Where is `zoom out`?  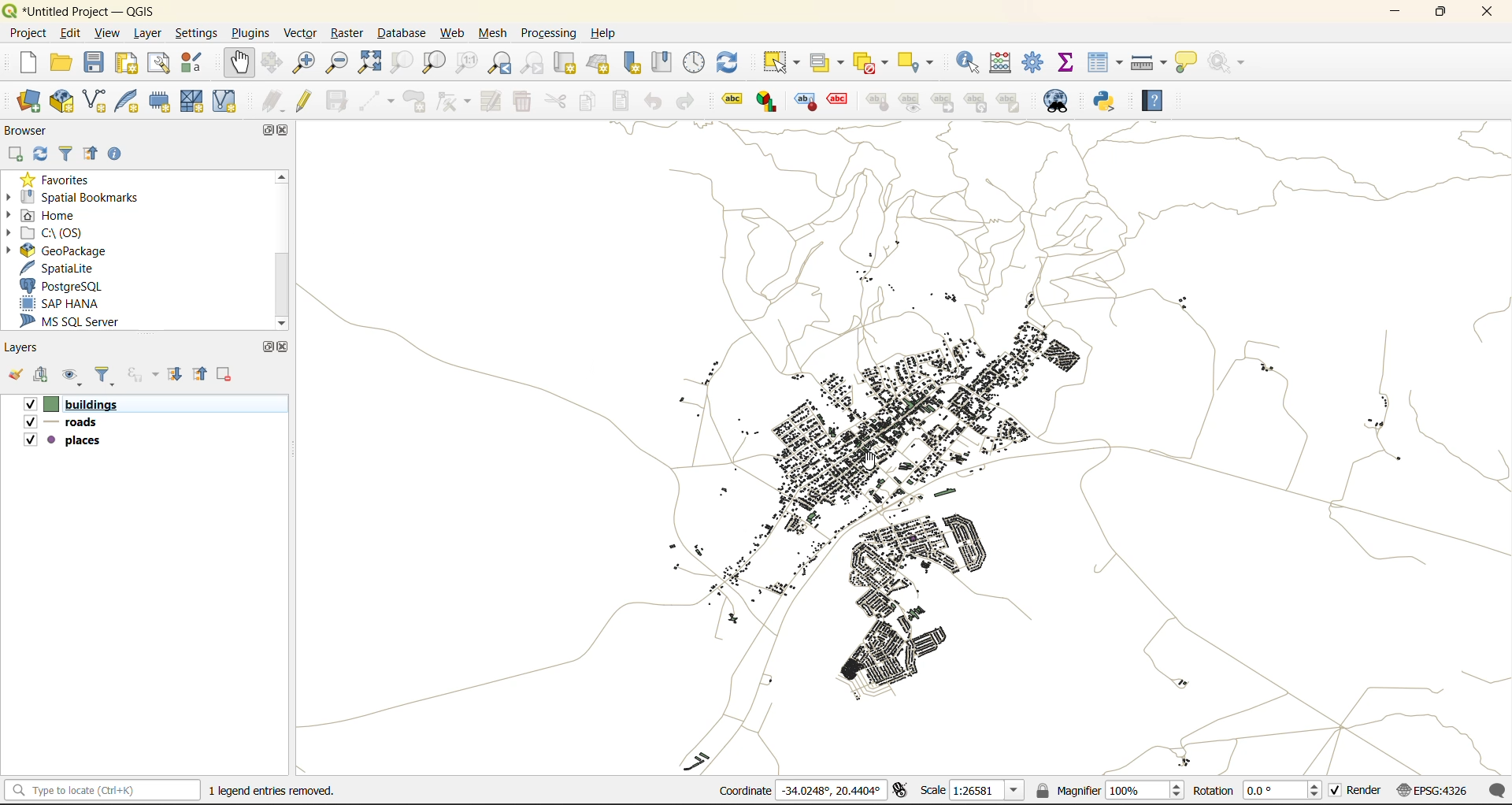
zoom out is located at coordinates (338, 63).